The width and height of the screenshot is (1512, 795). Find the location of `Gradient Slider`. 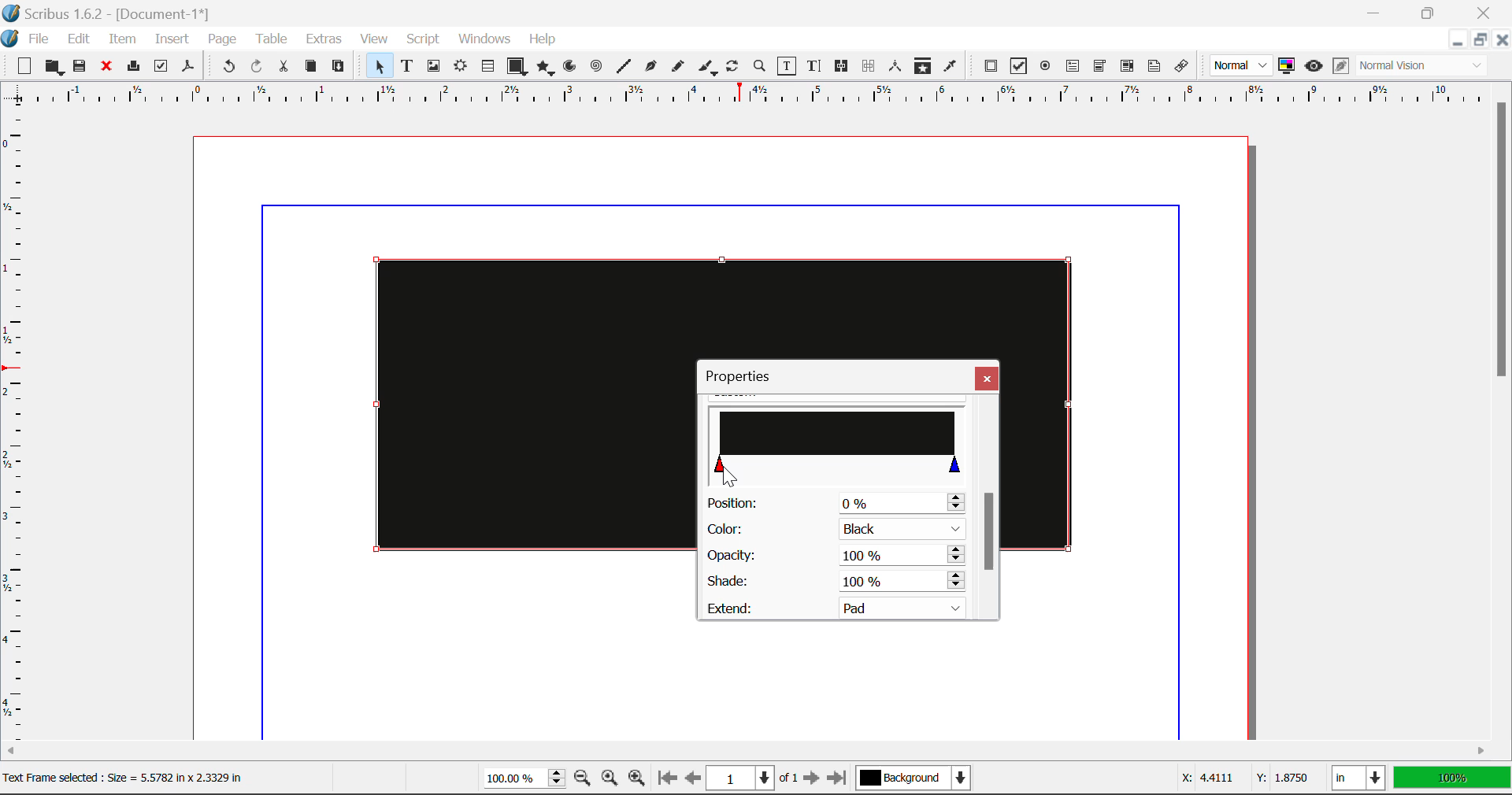

Gradient Slider is located at coordinates (839, 440).